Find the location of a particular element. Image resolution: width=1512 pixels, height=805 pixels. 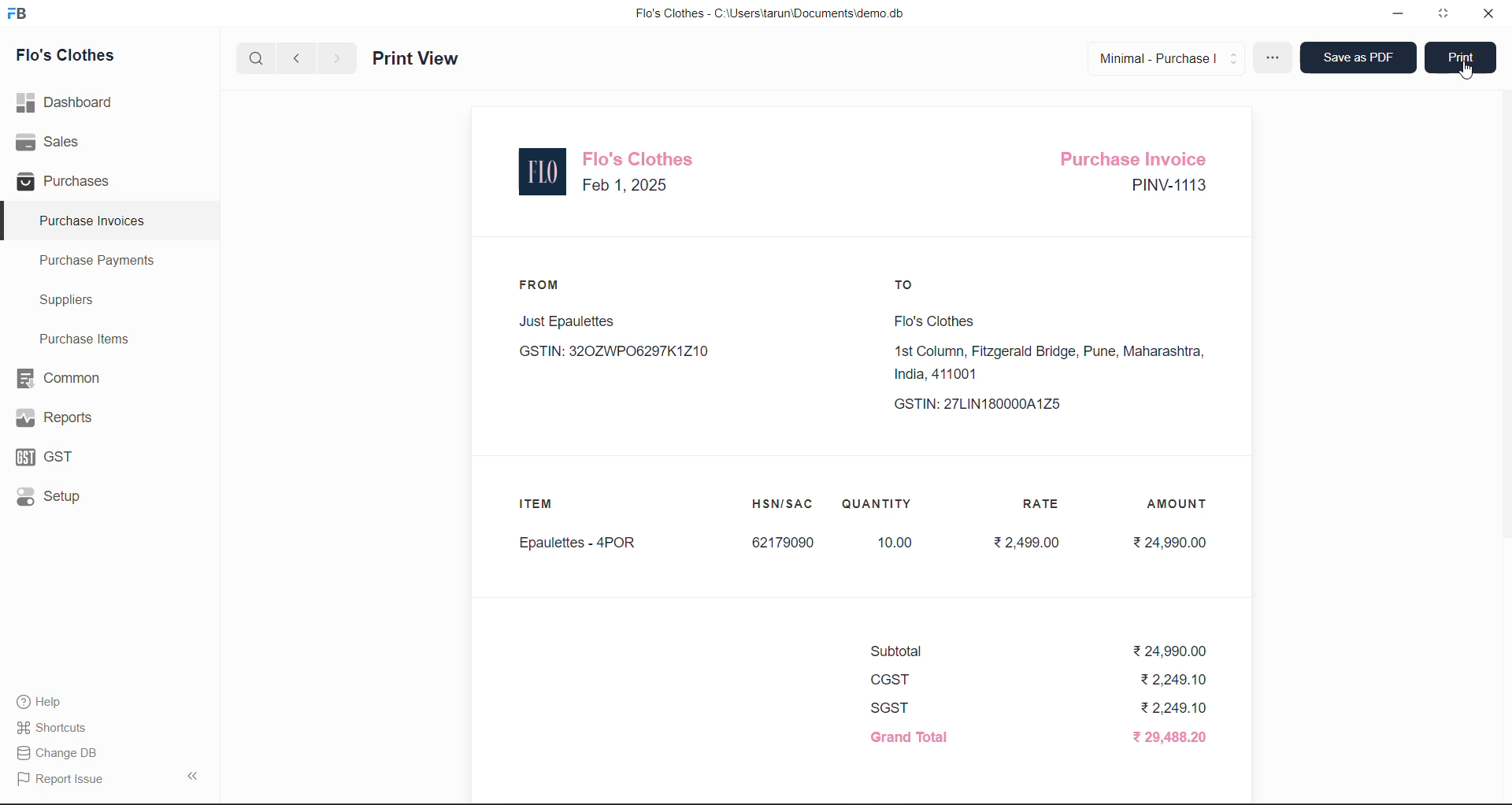

collapse is located at coordinates (198, 777).